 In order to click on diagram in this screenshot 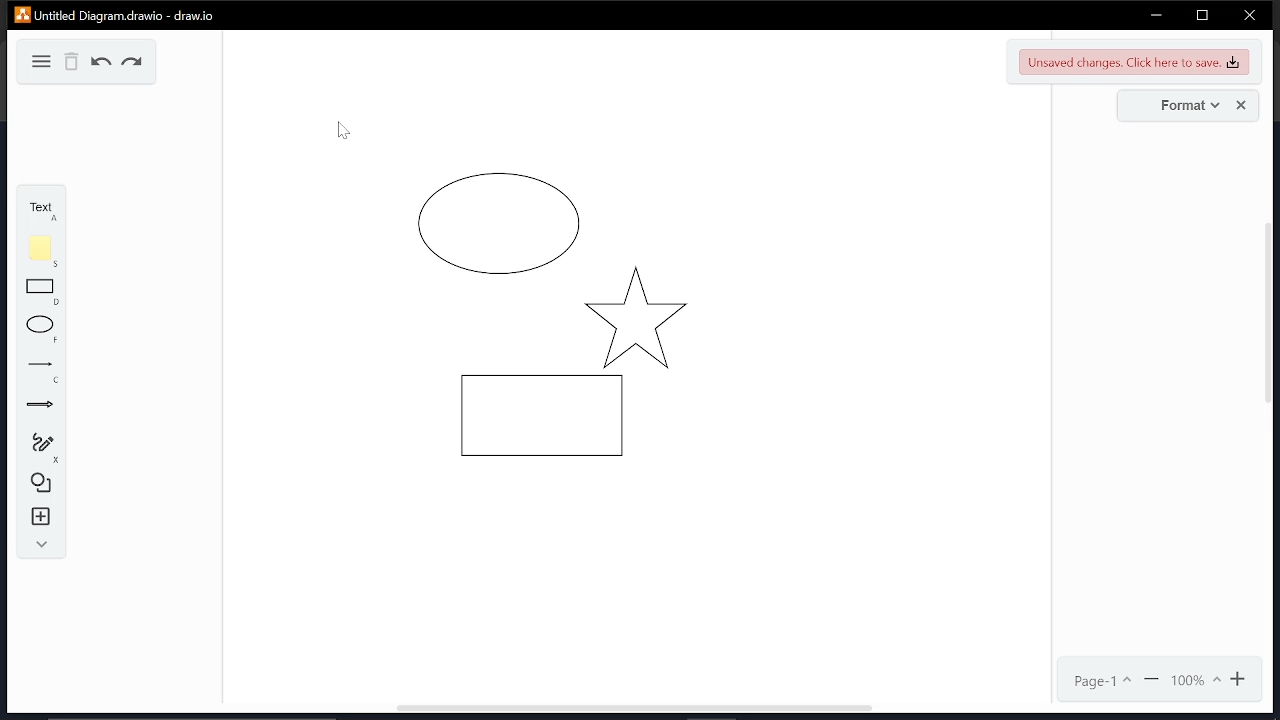, I will do `click(38, 60)`.